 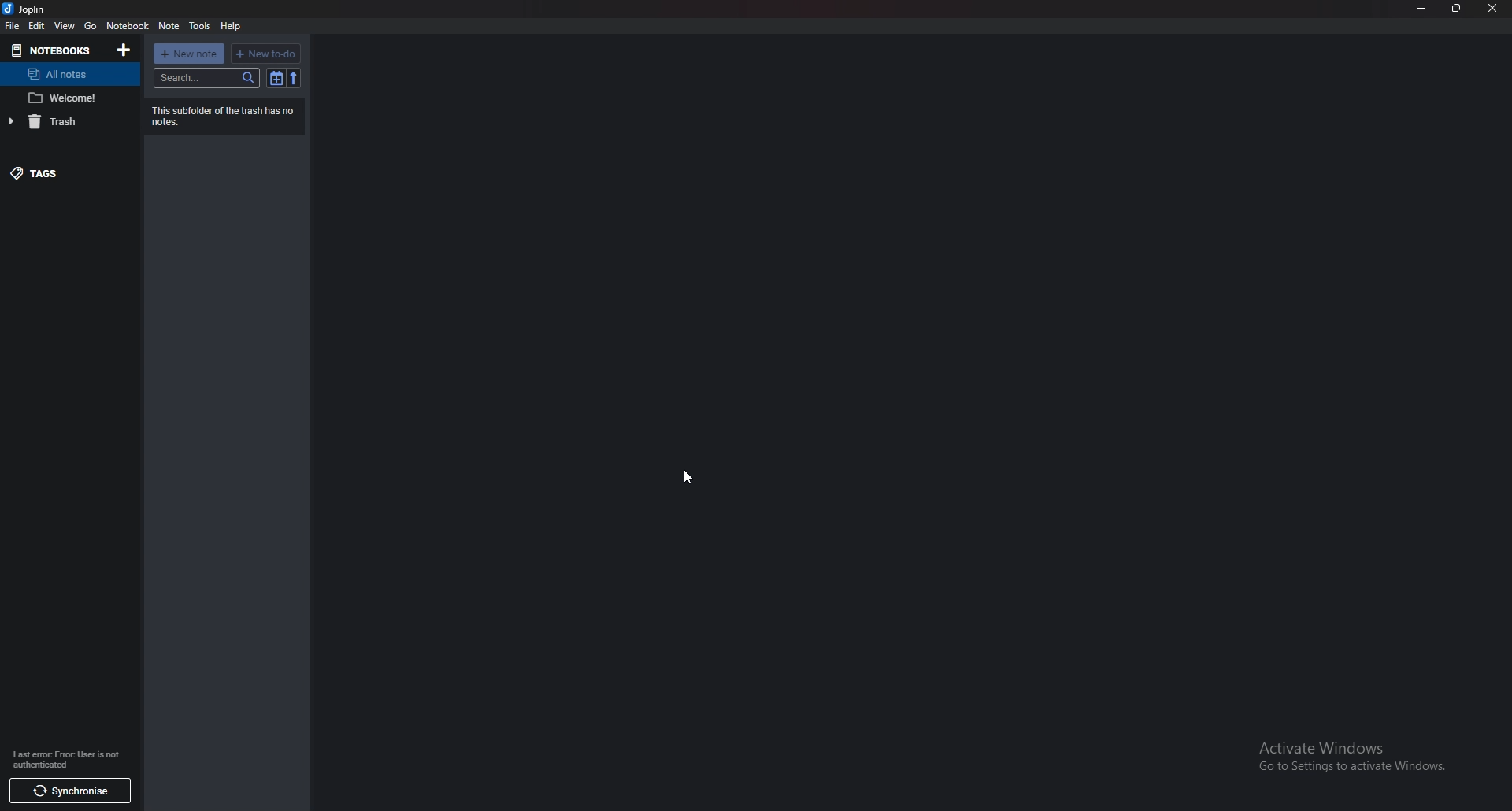 What do you see at coordinates (266, 54) in the screenshot?
I see `new todo` at bounding box center [266, 54].